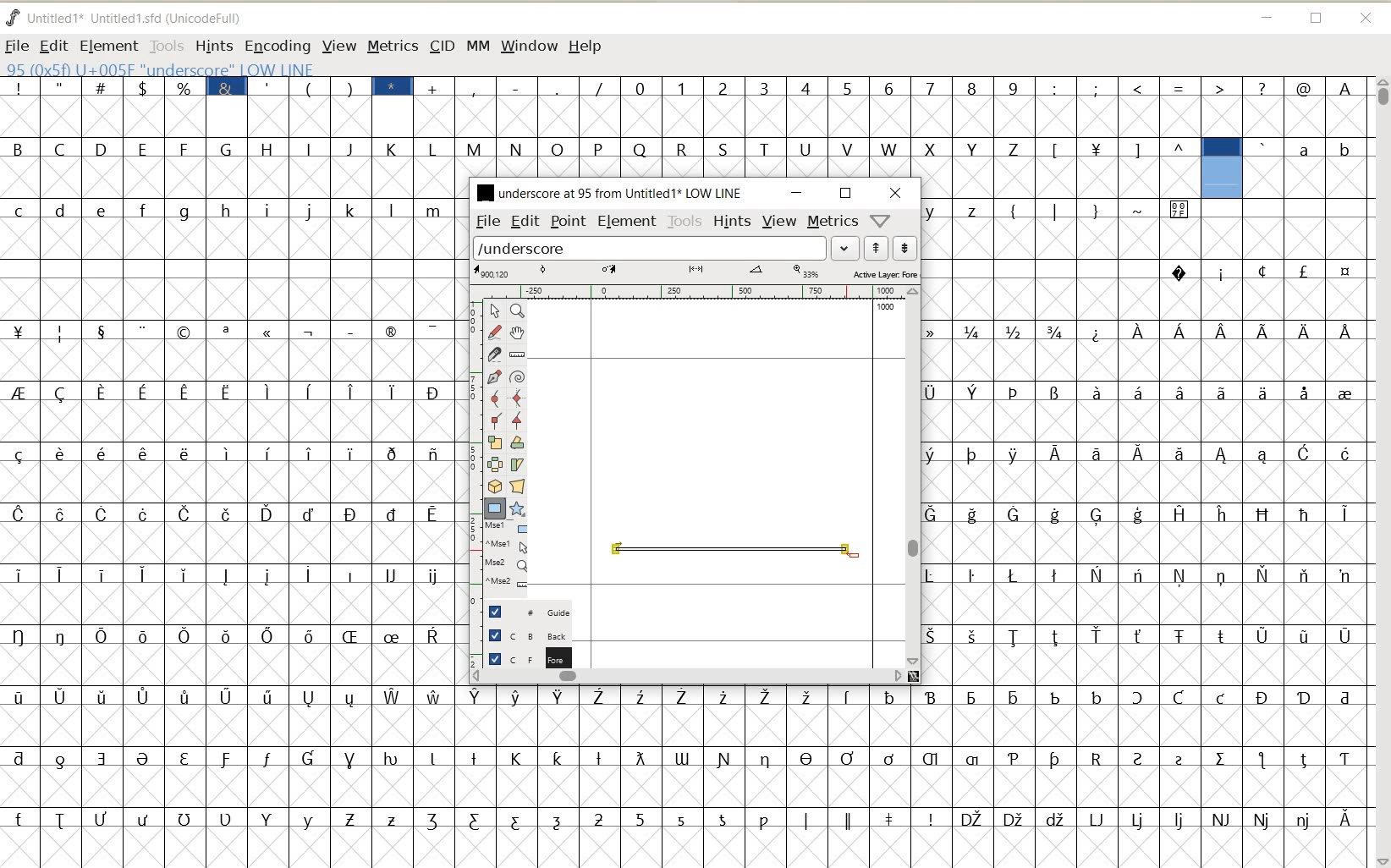 The width and height of the screenshot is (1391, 868). Describe the element at coordinates (832, 220) in the screenshot. I see `metrics` at that location.